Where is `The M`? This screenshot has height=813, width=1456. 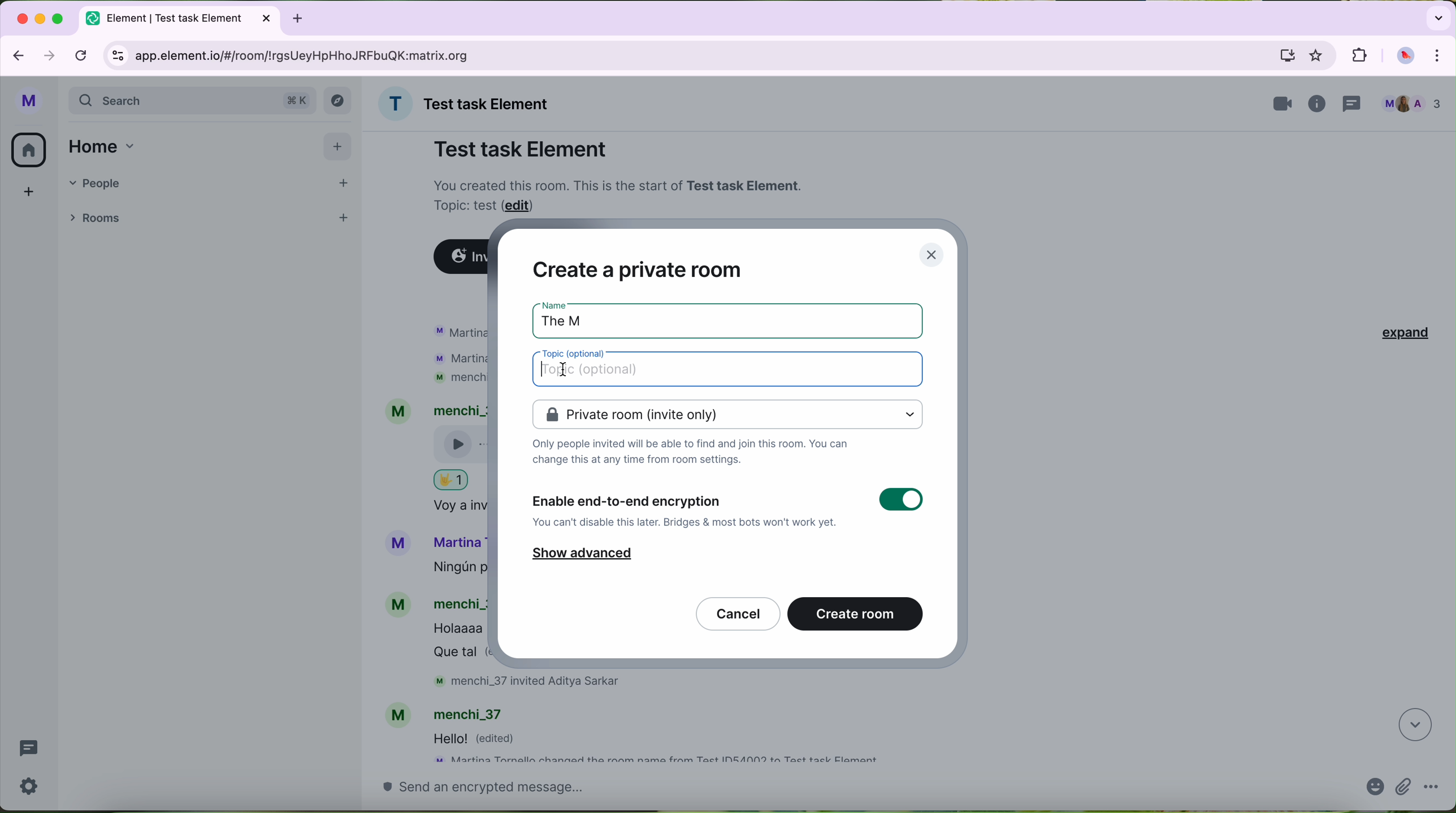 The M is located at coordinates (573, 318).